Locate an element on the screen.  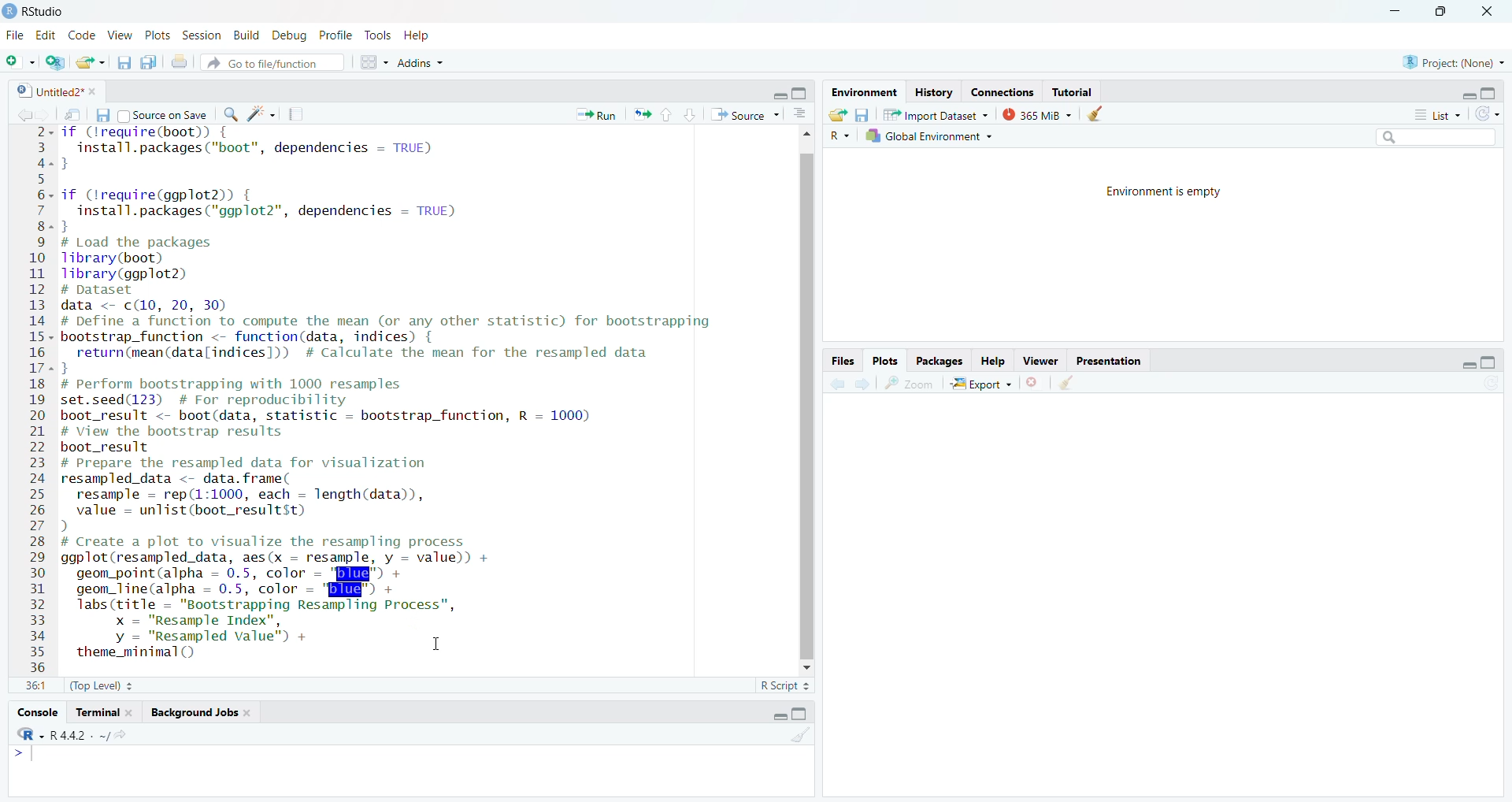
Files is located at coordinates (840, 359).